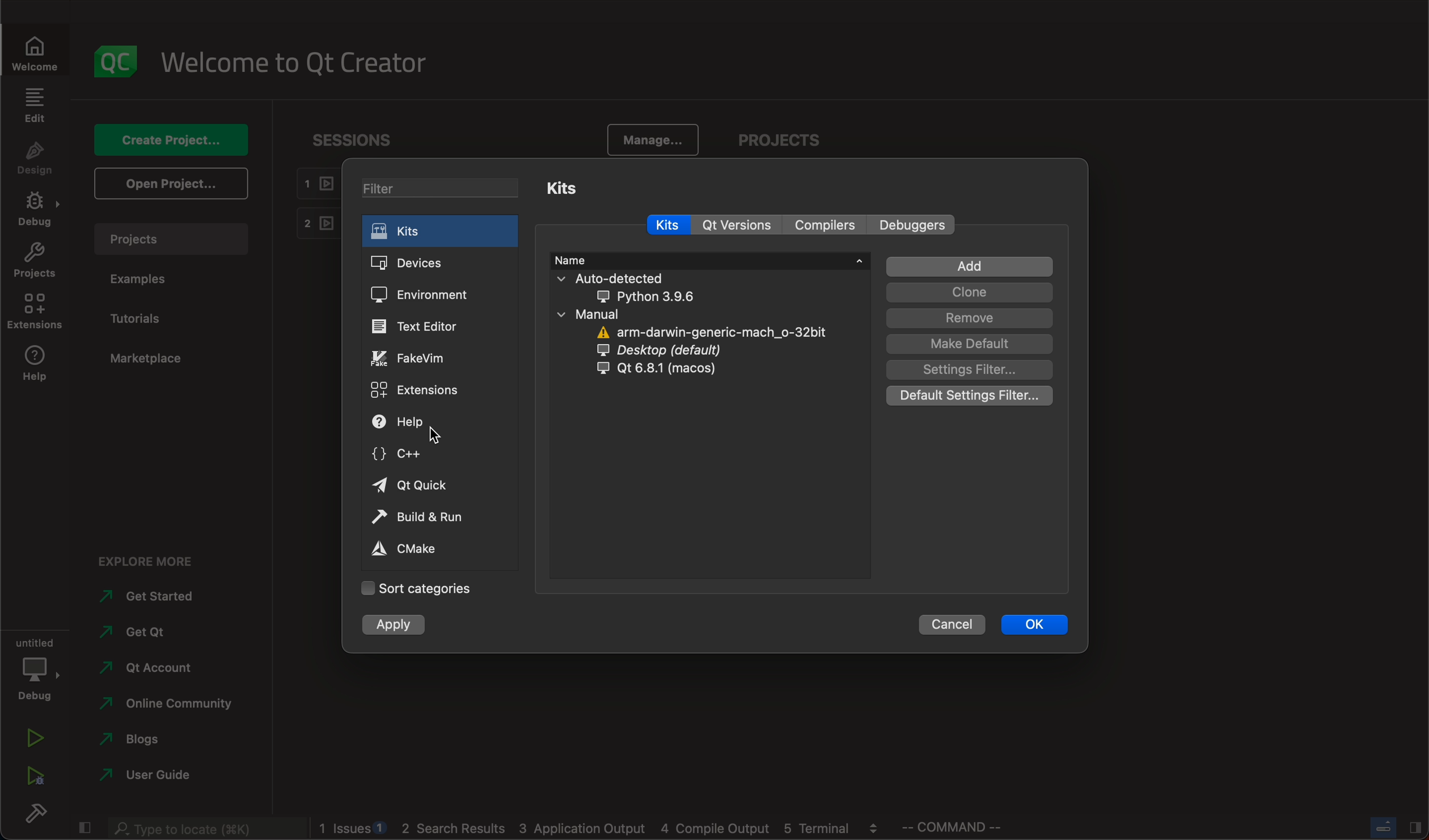 The image size is (1429, 840). I want to click on kits, so click(666, 226).